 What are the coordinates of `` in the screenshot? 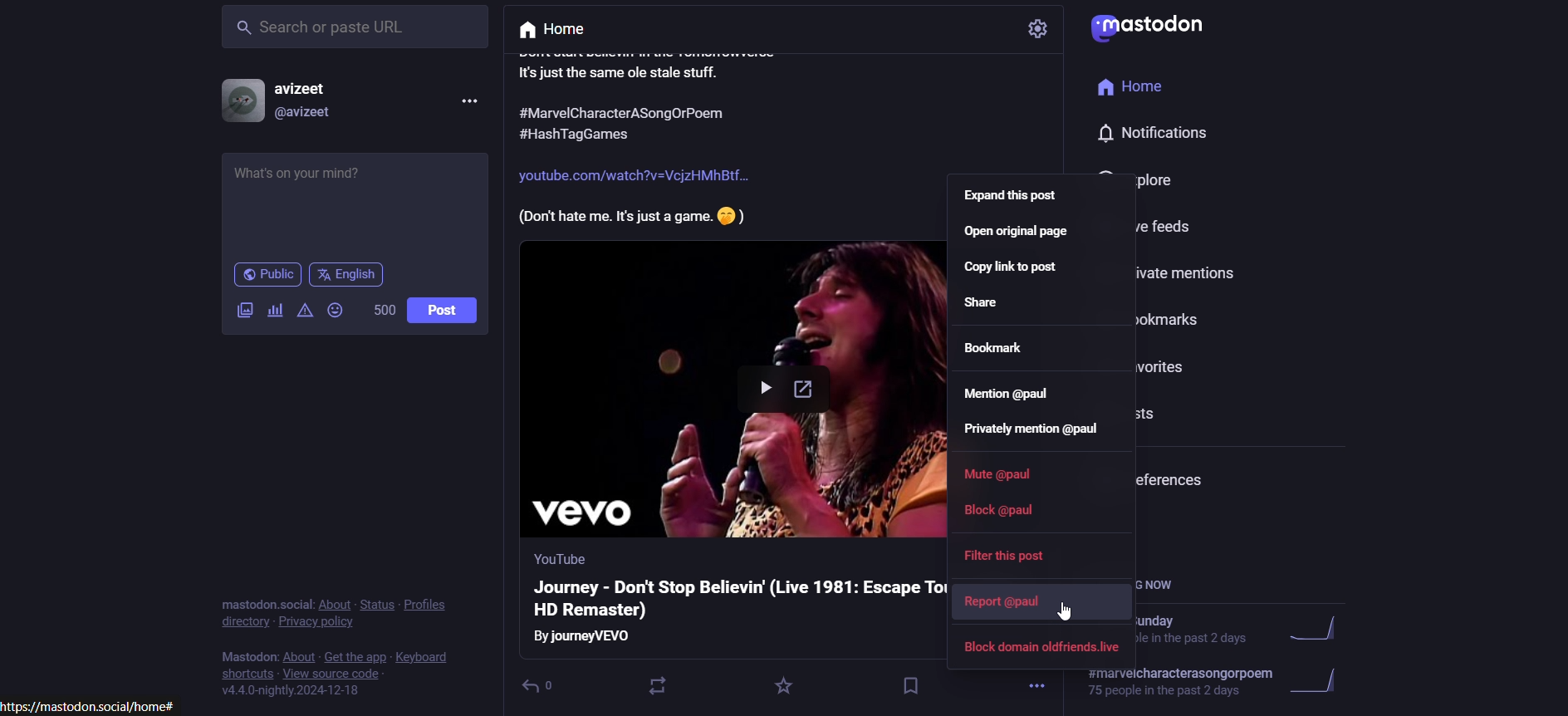 It's located at (634, 177).